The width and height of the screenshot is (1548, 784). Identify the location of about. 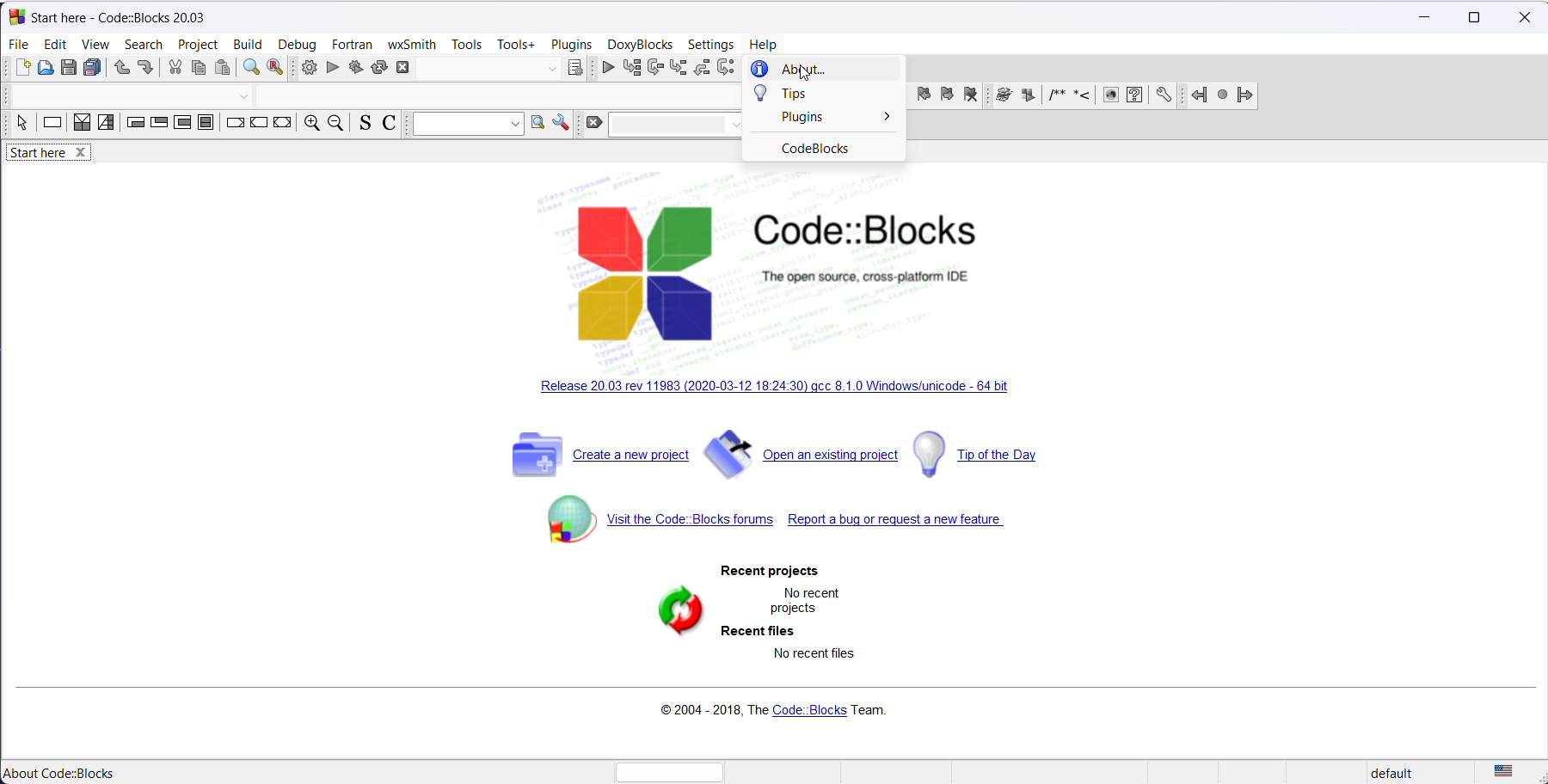
(814, 70).